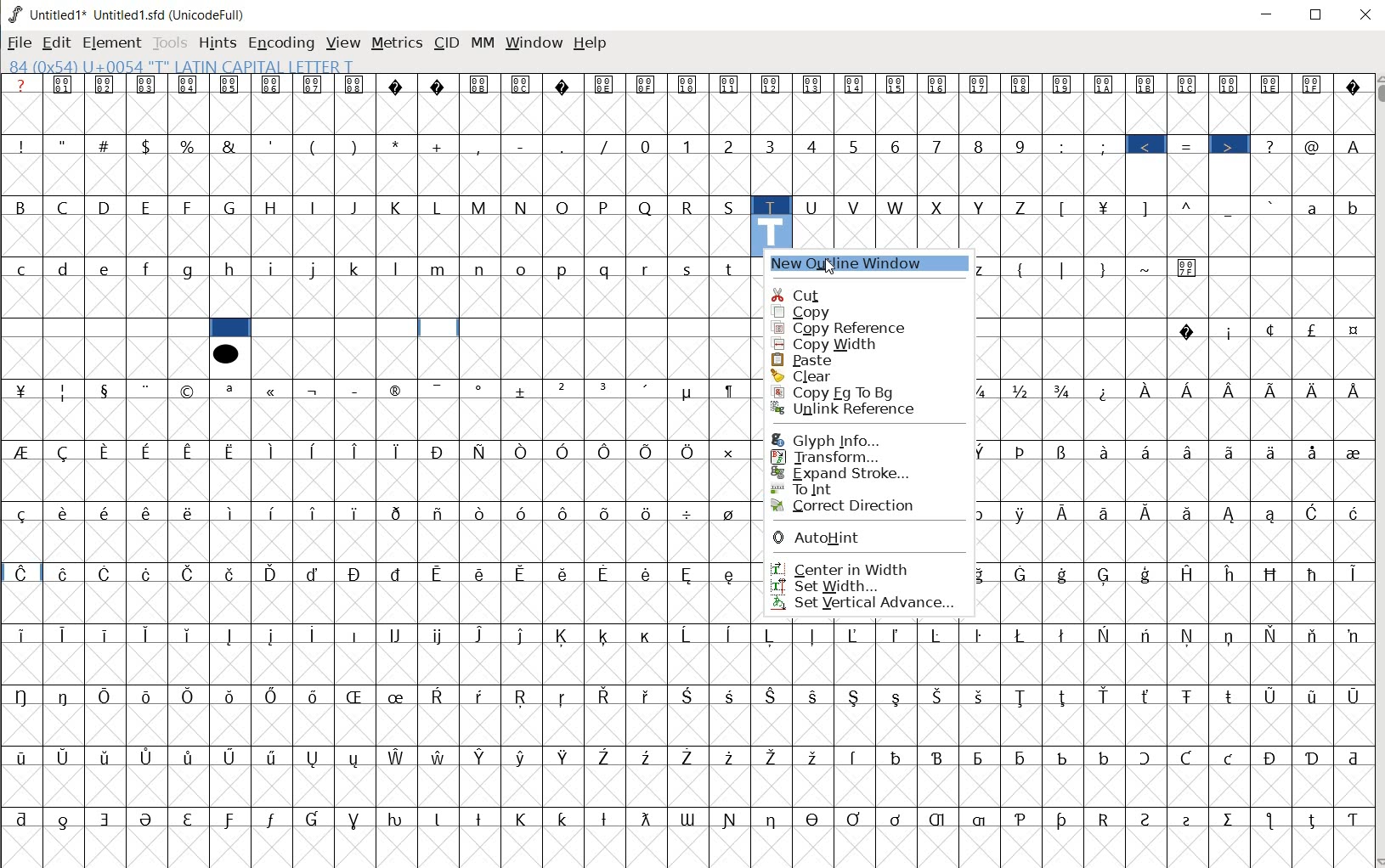  Describe the element at coordinates (356, 146) in the screenshot. I see `)` at that location.